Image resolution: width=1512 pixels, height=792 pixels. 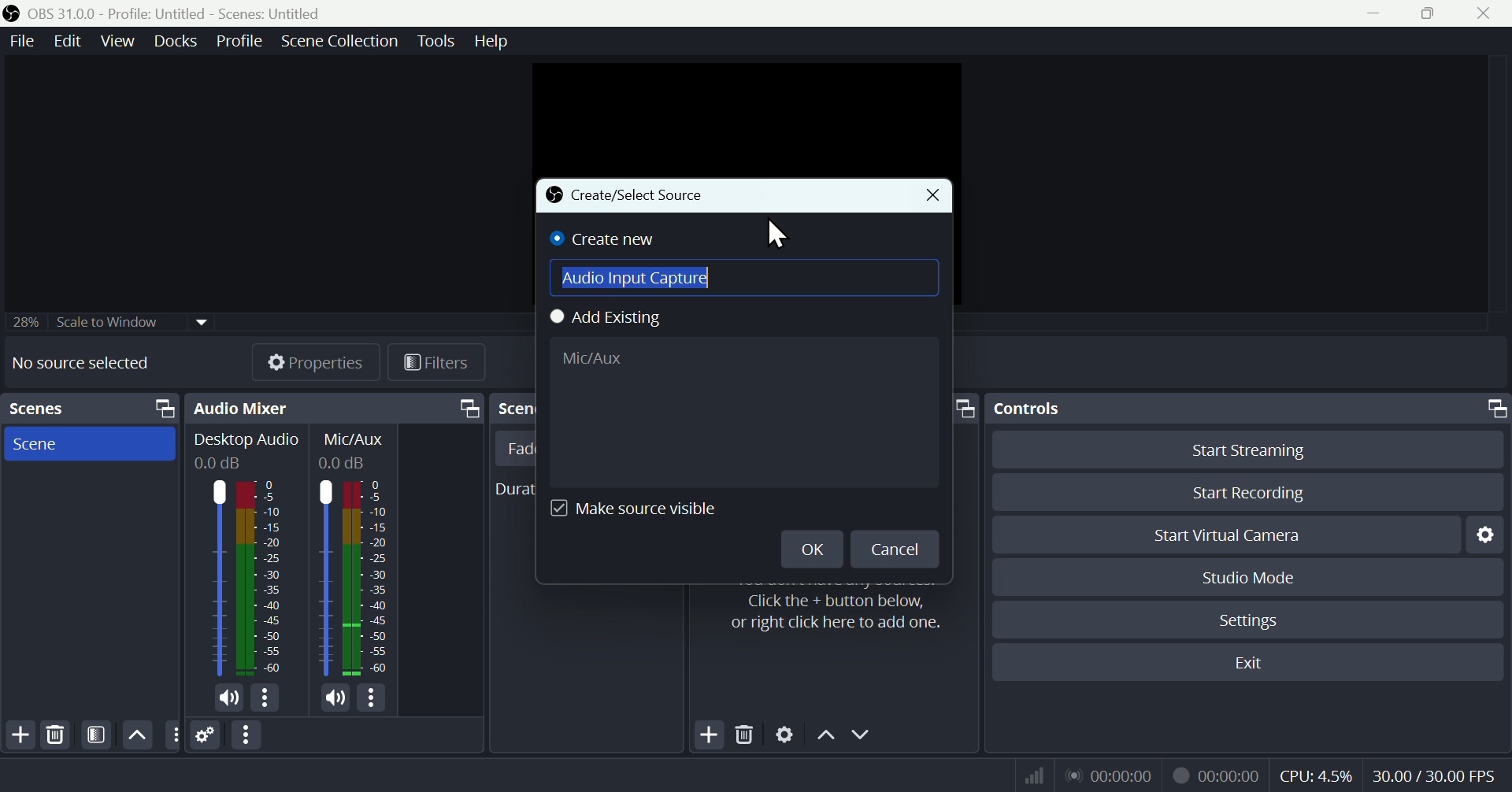 What do you see at coordinates (120, 41) in the screenshot?
I see `View` at bounding box center [120, 41].